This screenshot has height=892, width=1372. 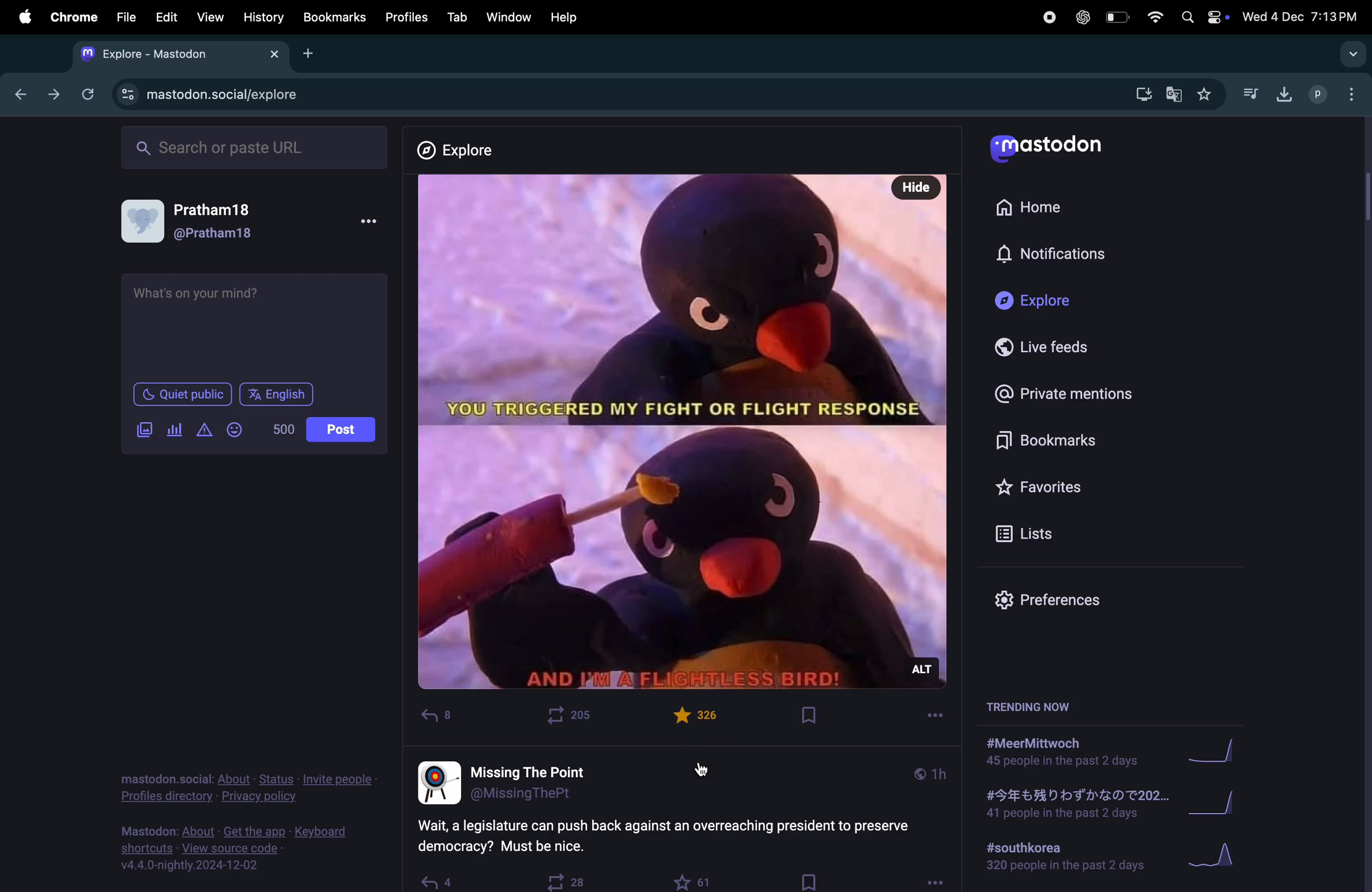 I want to click on , so click(x=1349, y=54).